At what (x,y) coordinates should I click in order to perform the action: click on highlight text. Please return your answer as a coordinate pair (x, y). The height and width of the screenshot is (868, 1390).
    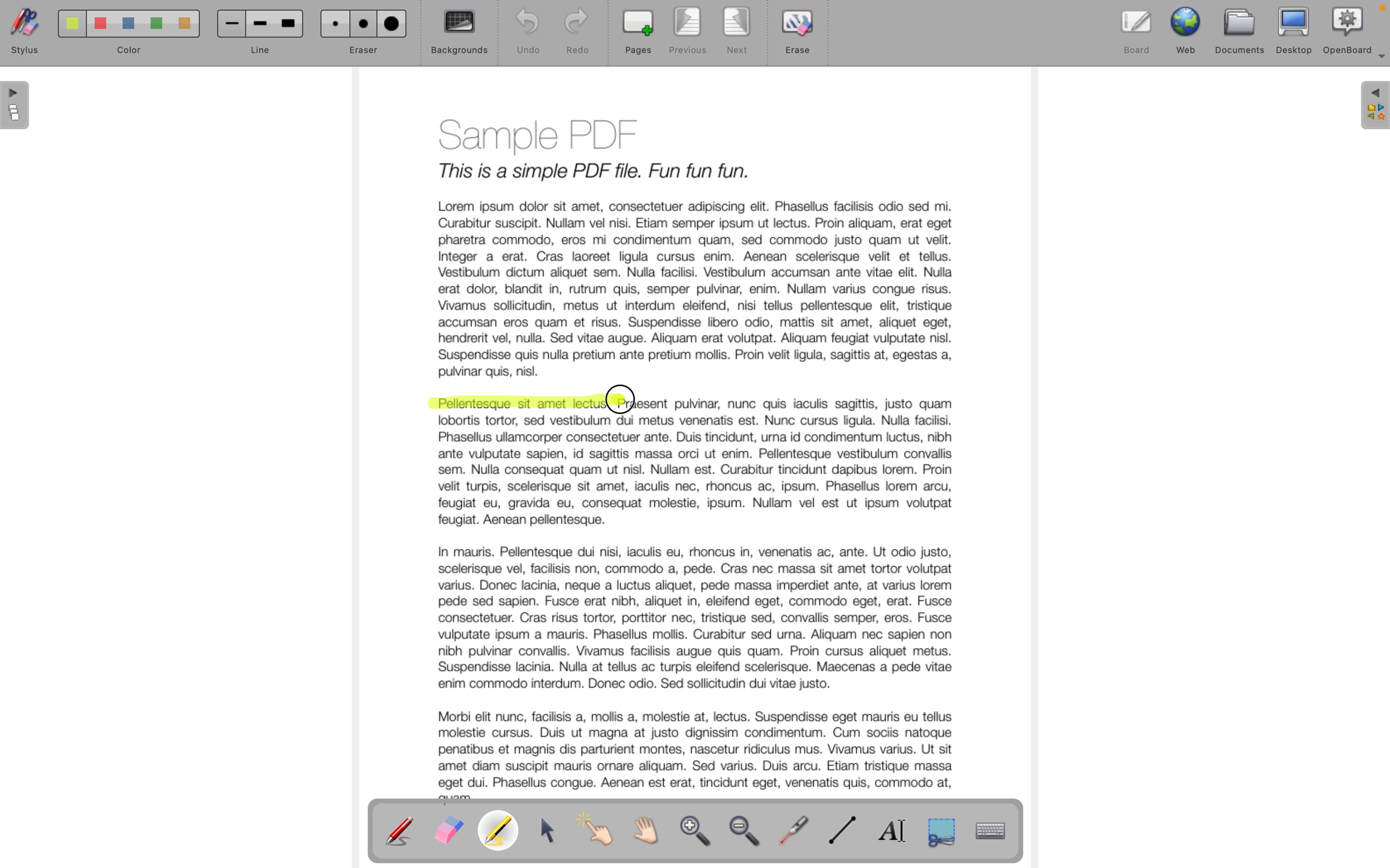
    Looking at the image, I should click on (518, 403).